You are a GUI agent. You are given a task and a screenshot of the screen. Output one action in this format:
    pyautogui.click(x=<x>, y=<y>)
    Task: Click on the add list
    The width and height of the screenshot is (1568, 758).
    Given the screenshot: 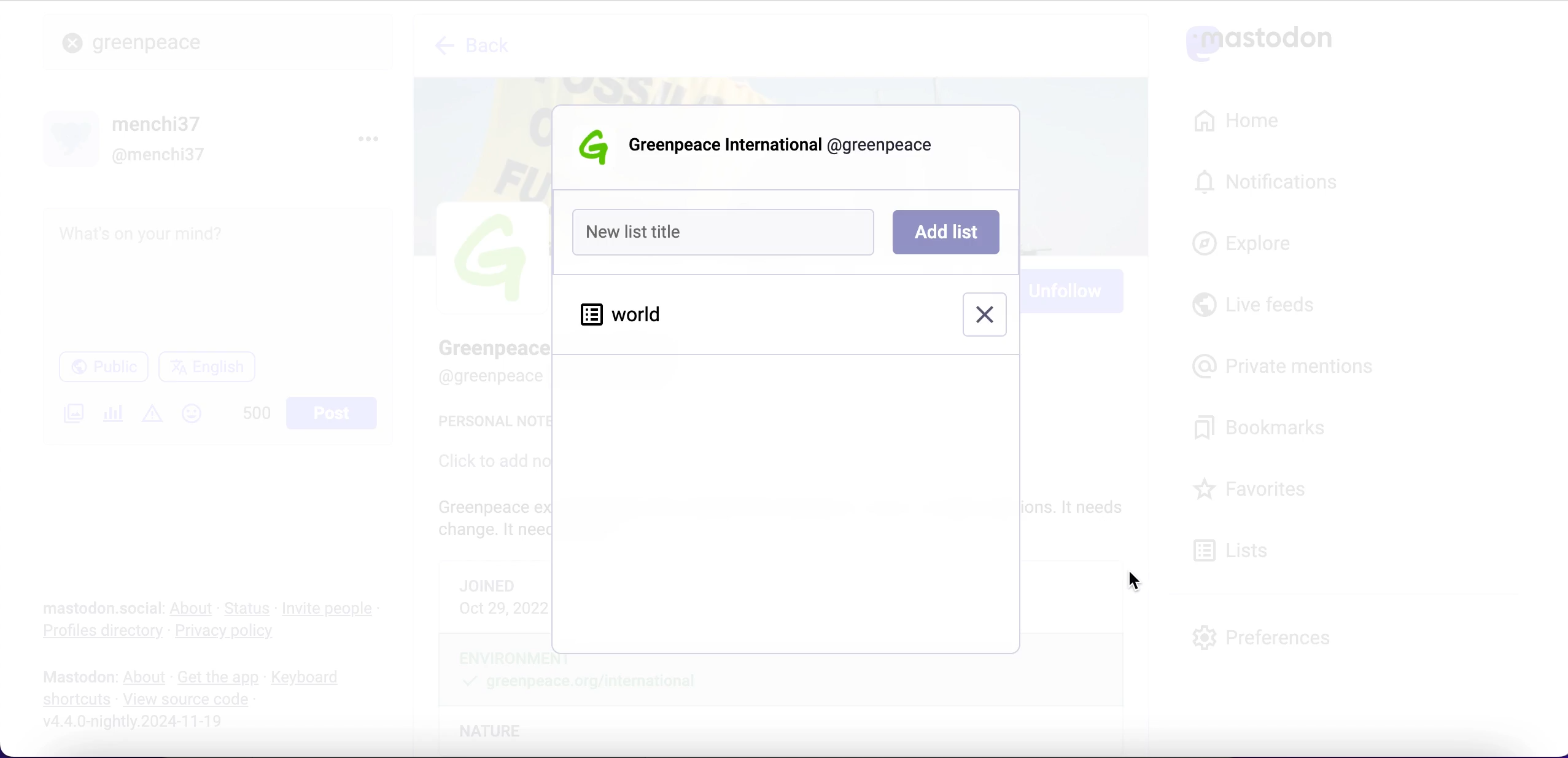 What is the action you would take?
    pyautogui.click(x=946, y=233)
    